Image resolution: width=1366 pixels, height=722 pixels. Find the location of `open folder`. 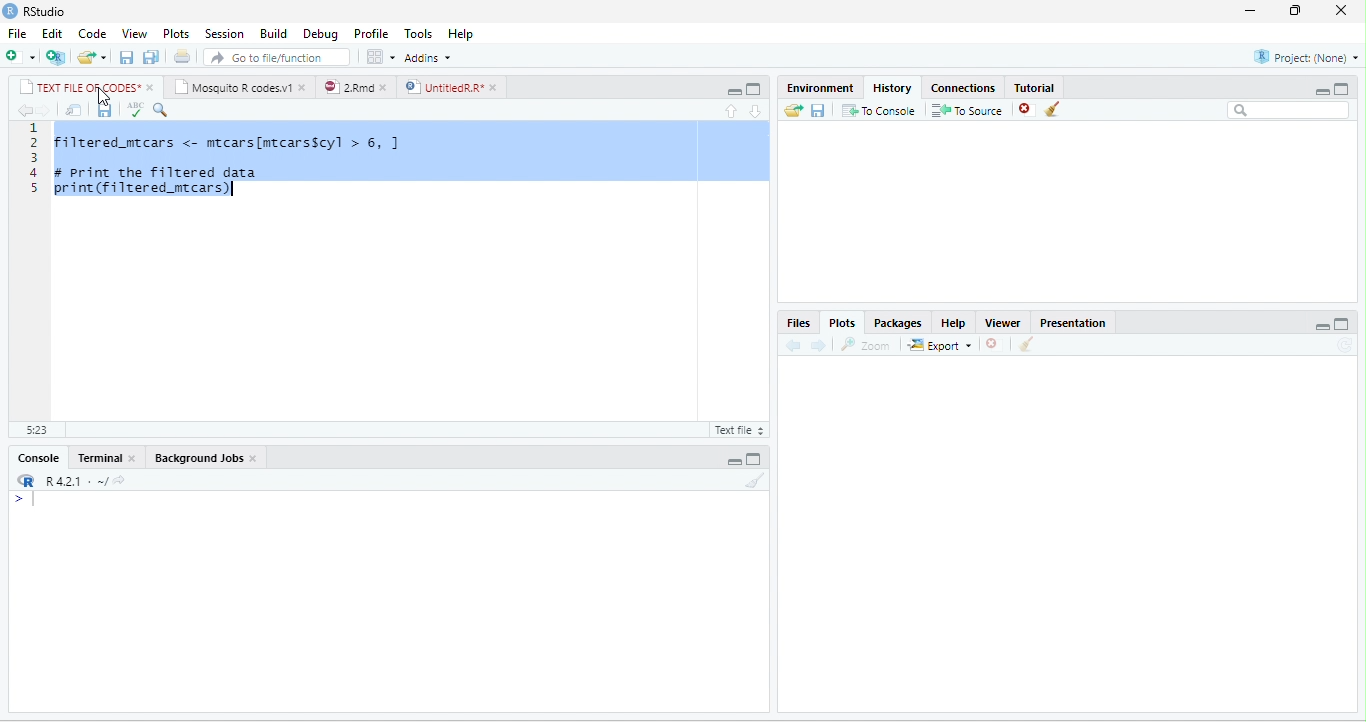

open folder is located at coordinates (793, 110).